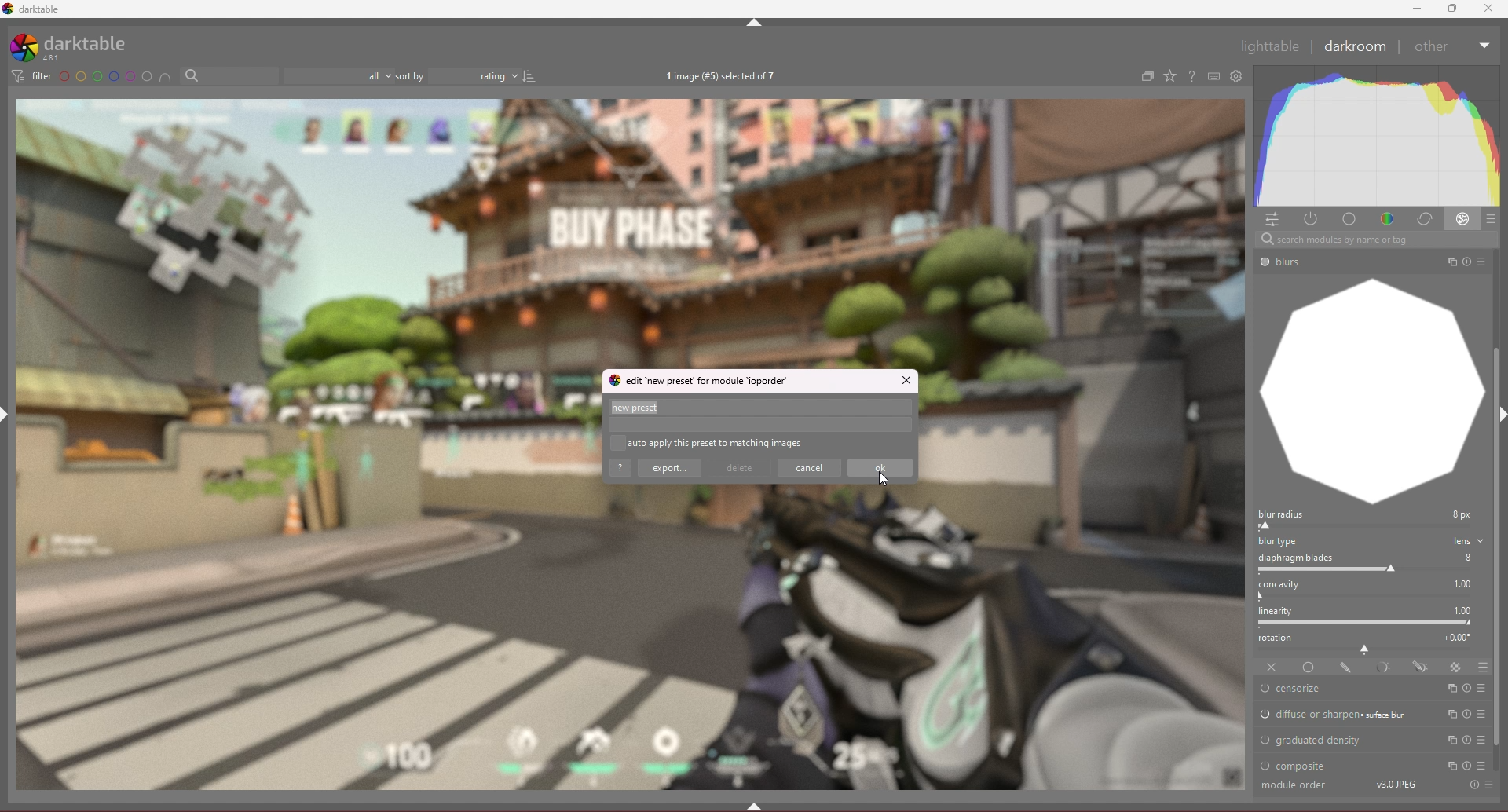 This screenshot has width=1508, height=812. What do you see at coordinates (1490, 786) in the screenshot?
I see `` at bounding box center [1490, 786].